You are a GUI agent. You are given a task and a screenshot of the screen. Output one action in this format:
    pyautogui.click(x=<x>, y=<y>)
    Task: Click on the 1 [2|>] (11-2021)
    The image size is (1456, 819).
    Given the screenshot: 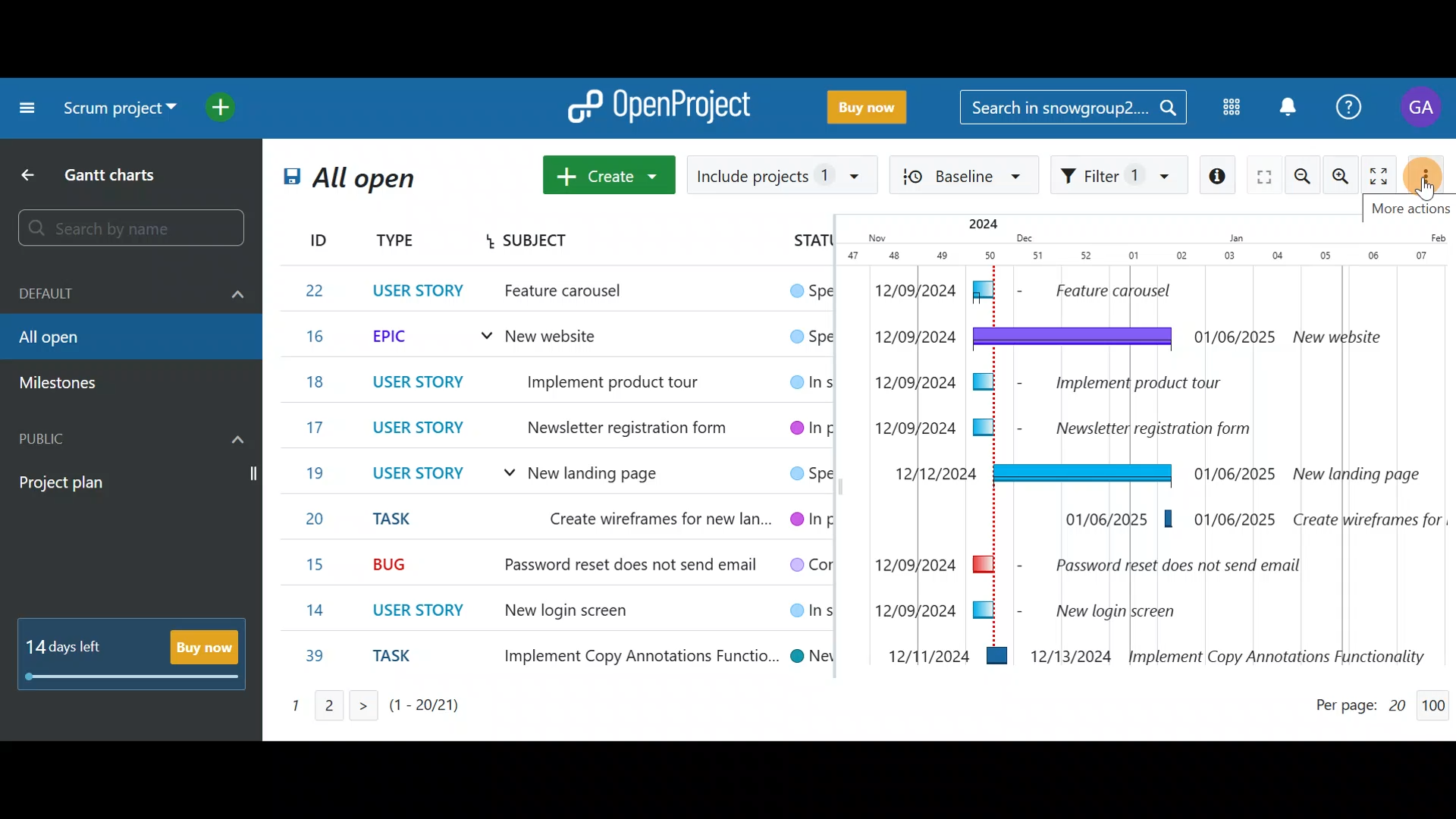 What is the action you would take?
    pyautogui.click(x=367, y=705)
    